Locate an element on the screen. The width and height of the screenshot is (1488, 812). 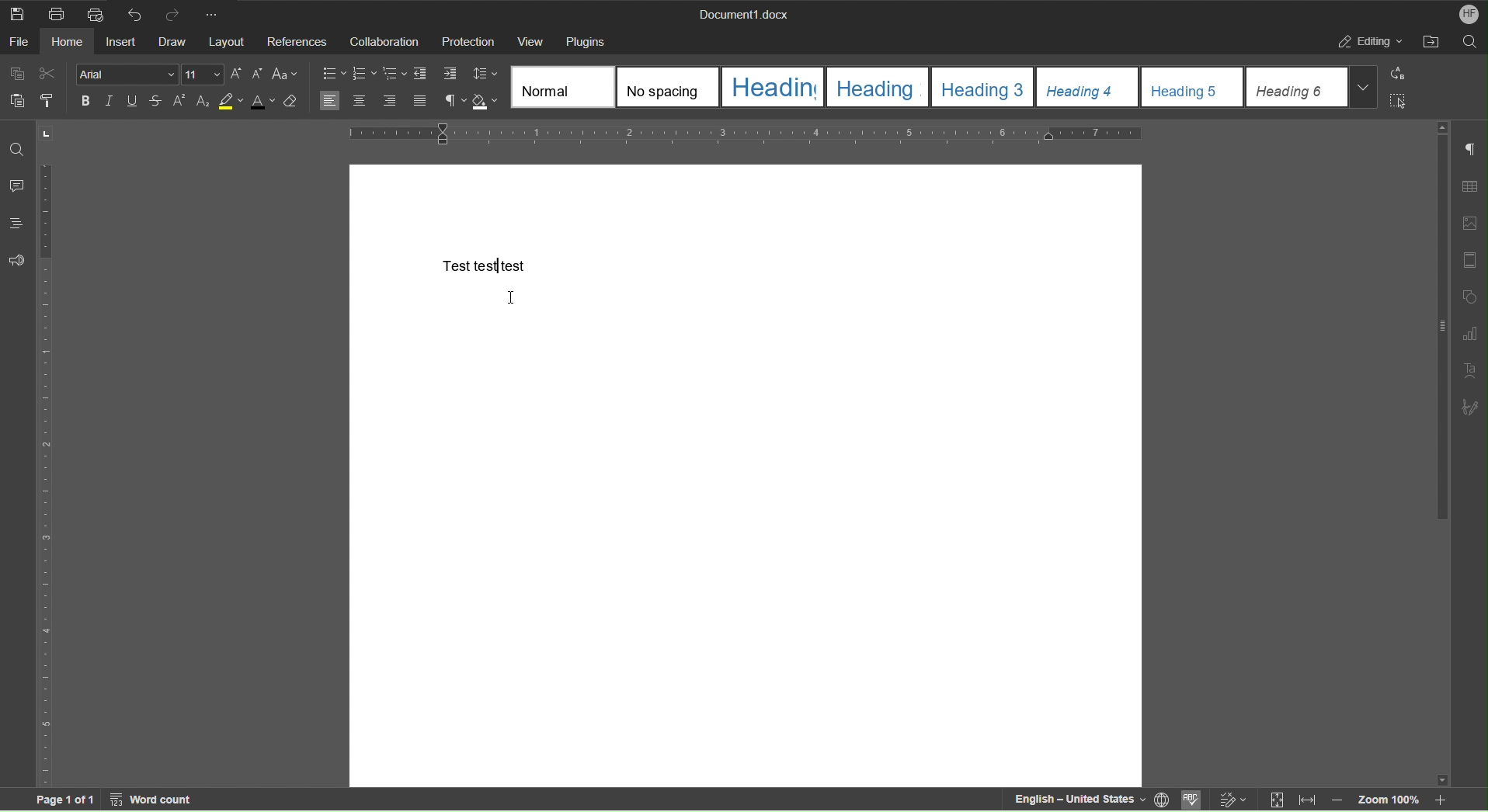
Comments is located at coordinates (16, 186).